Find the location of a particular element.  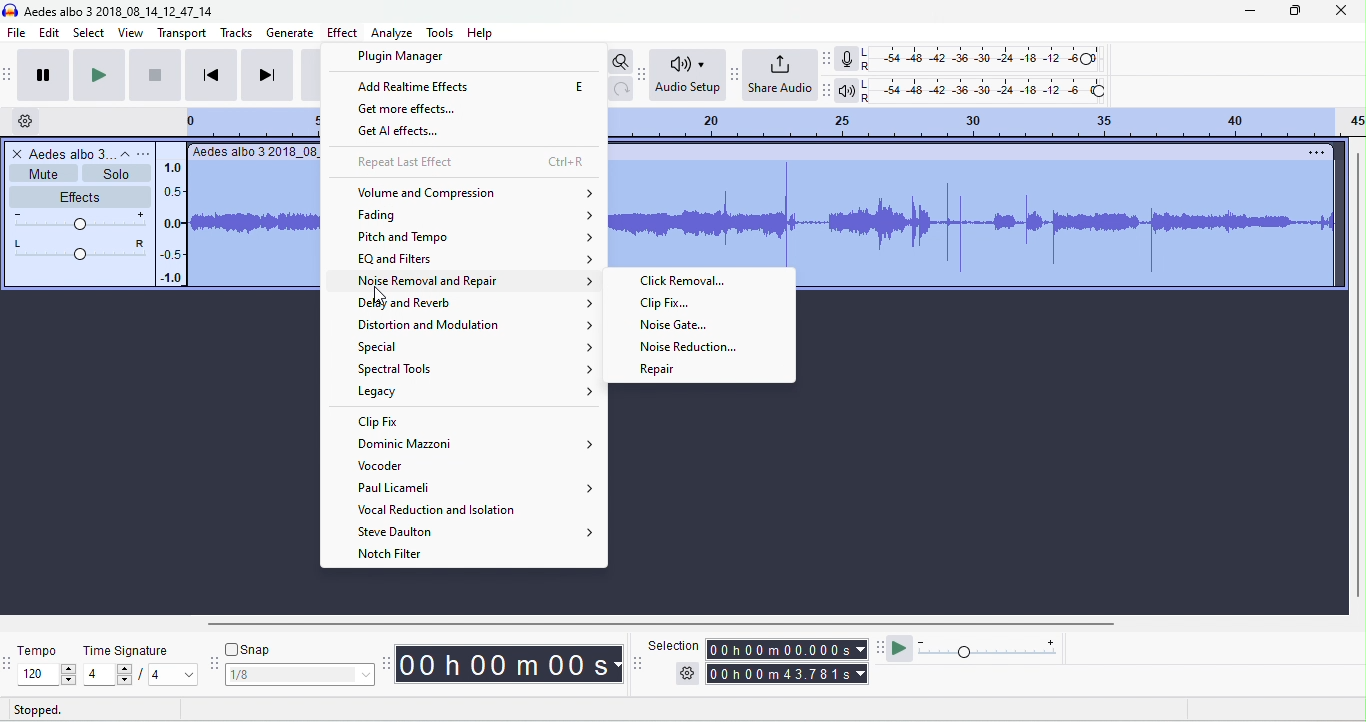

selection toolbar is located at coordinates (640, 665).